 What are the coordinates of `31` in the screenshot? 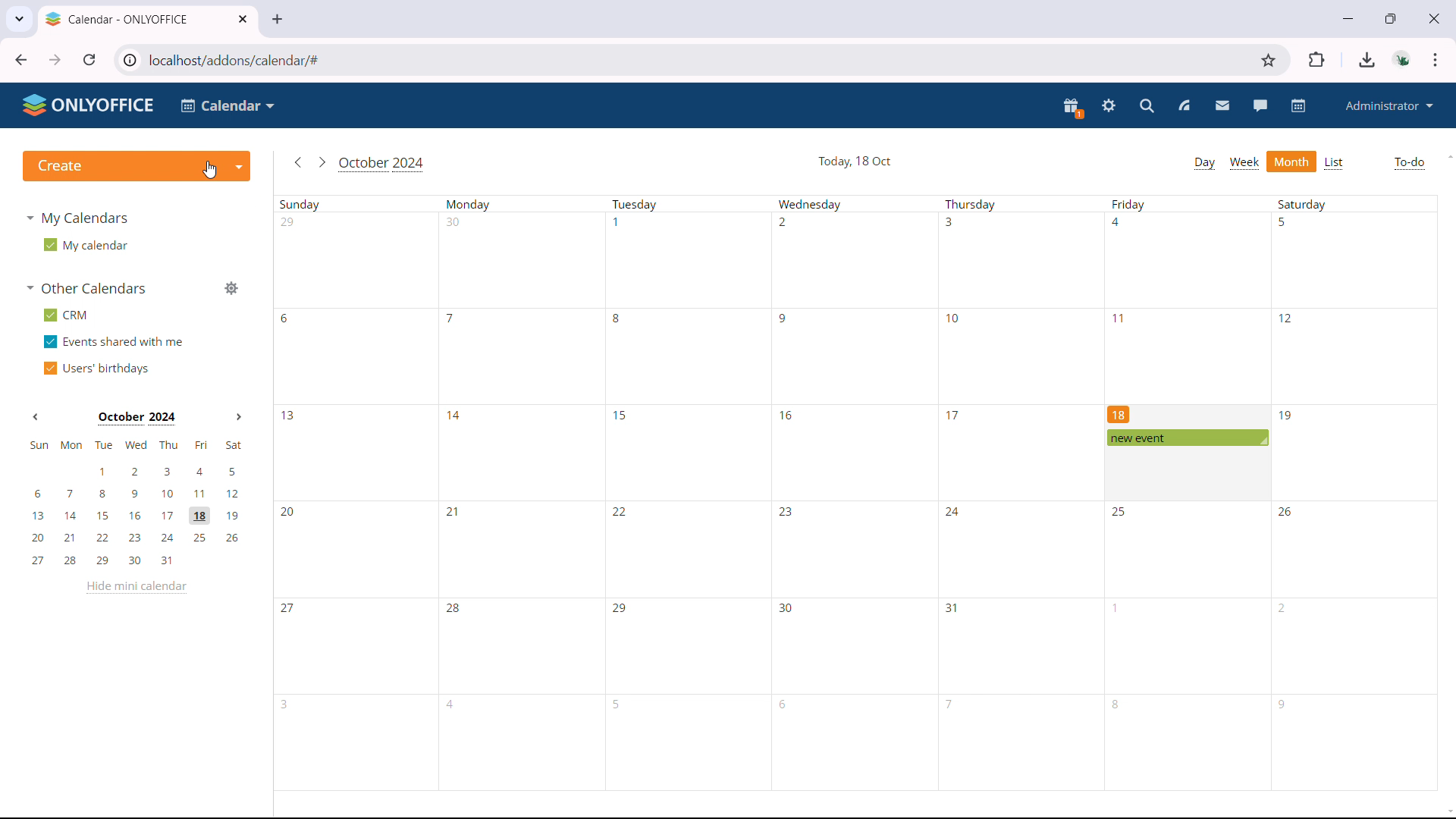 It's located at (952, 608).